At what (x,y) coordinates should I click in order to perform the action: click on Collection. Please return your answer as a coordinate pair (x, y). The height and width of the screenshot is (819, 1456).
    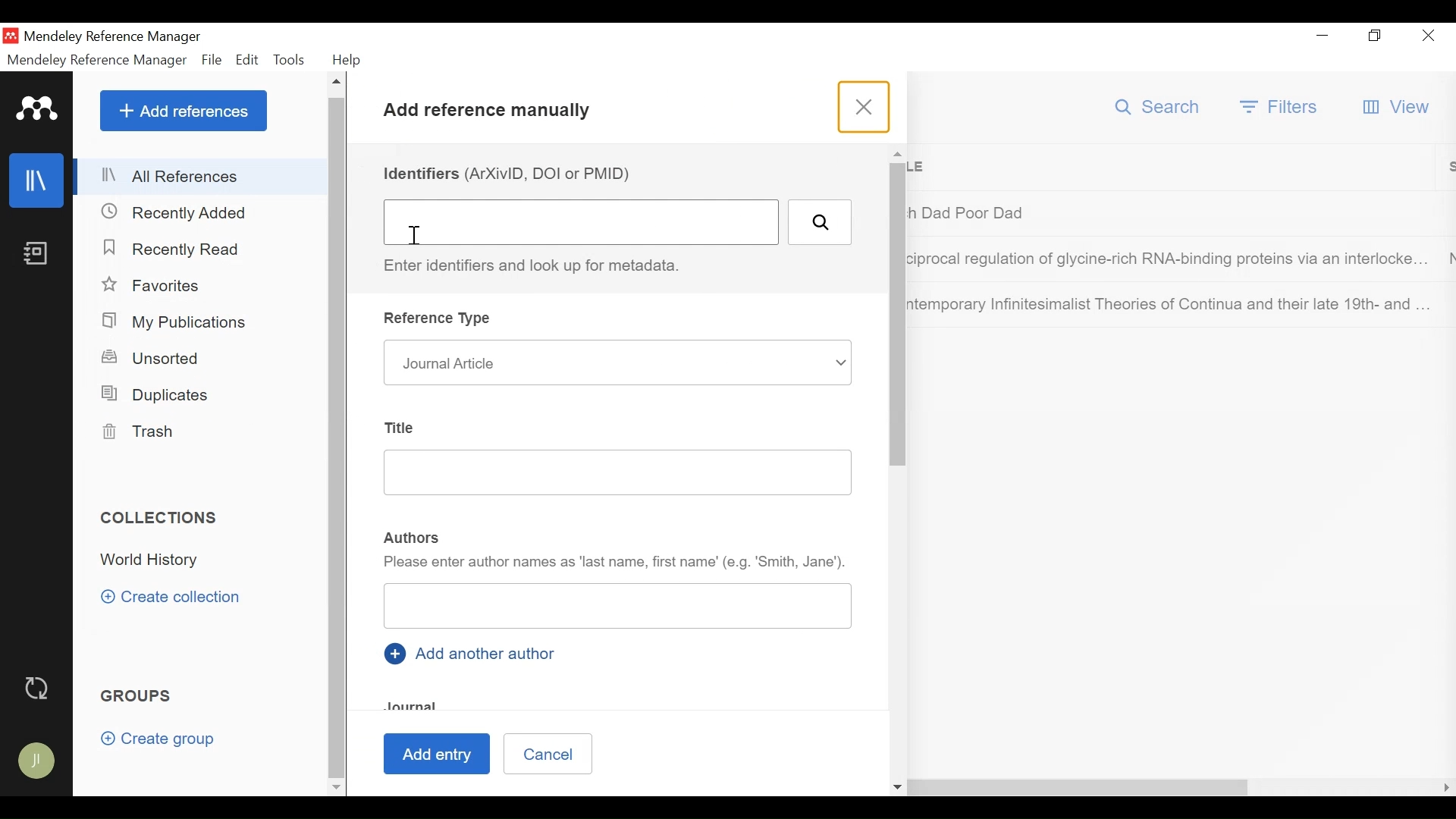
    Looking at the image, I should click on (156, 562).